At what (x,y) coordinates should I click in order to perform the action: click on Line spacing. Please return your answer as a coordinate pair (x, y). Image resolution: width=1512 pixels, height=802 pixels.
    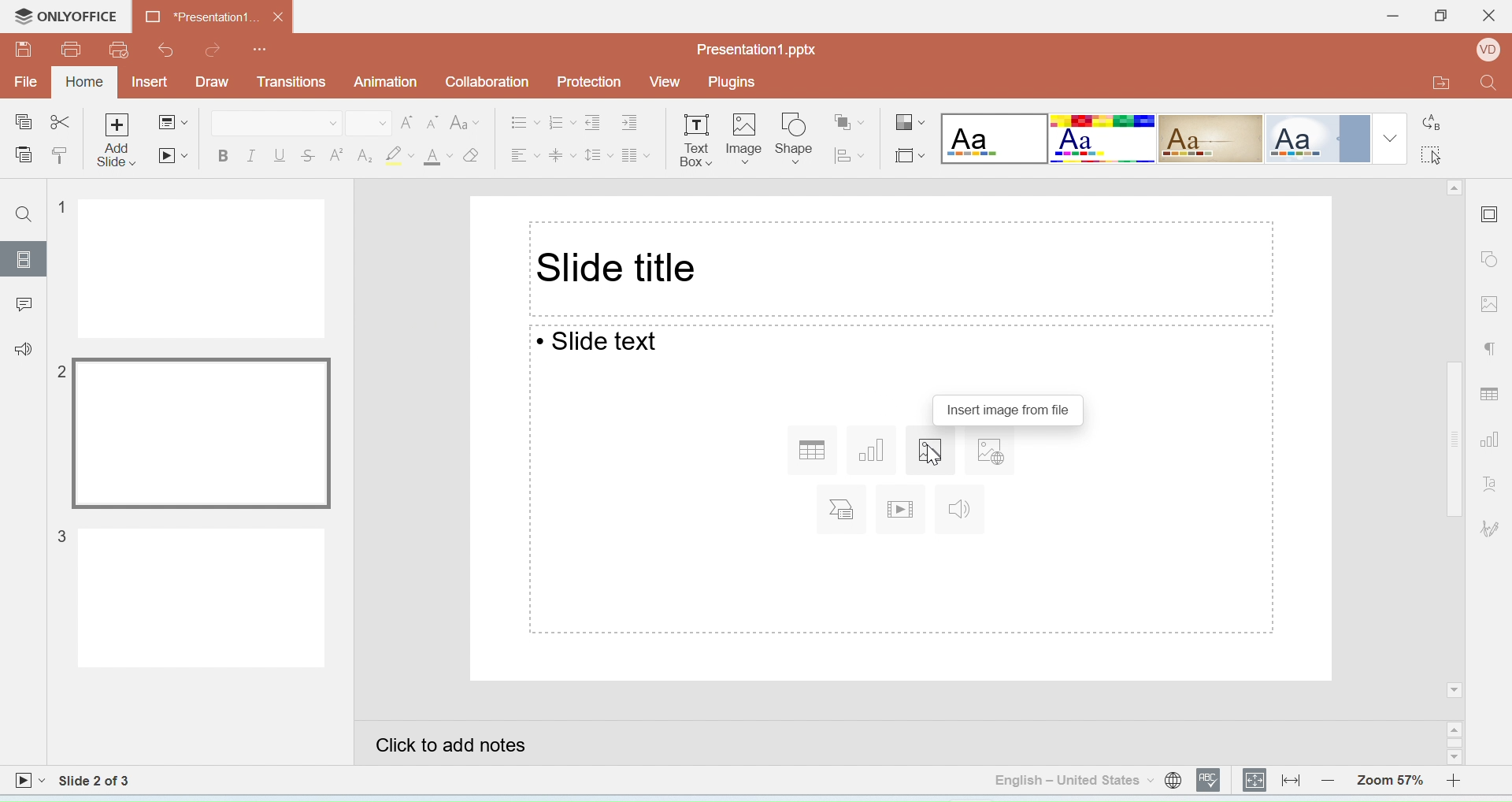
    Looking at the image, I should click on (599, 152).